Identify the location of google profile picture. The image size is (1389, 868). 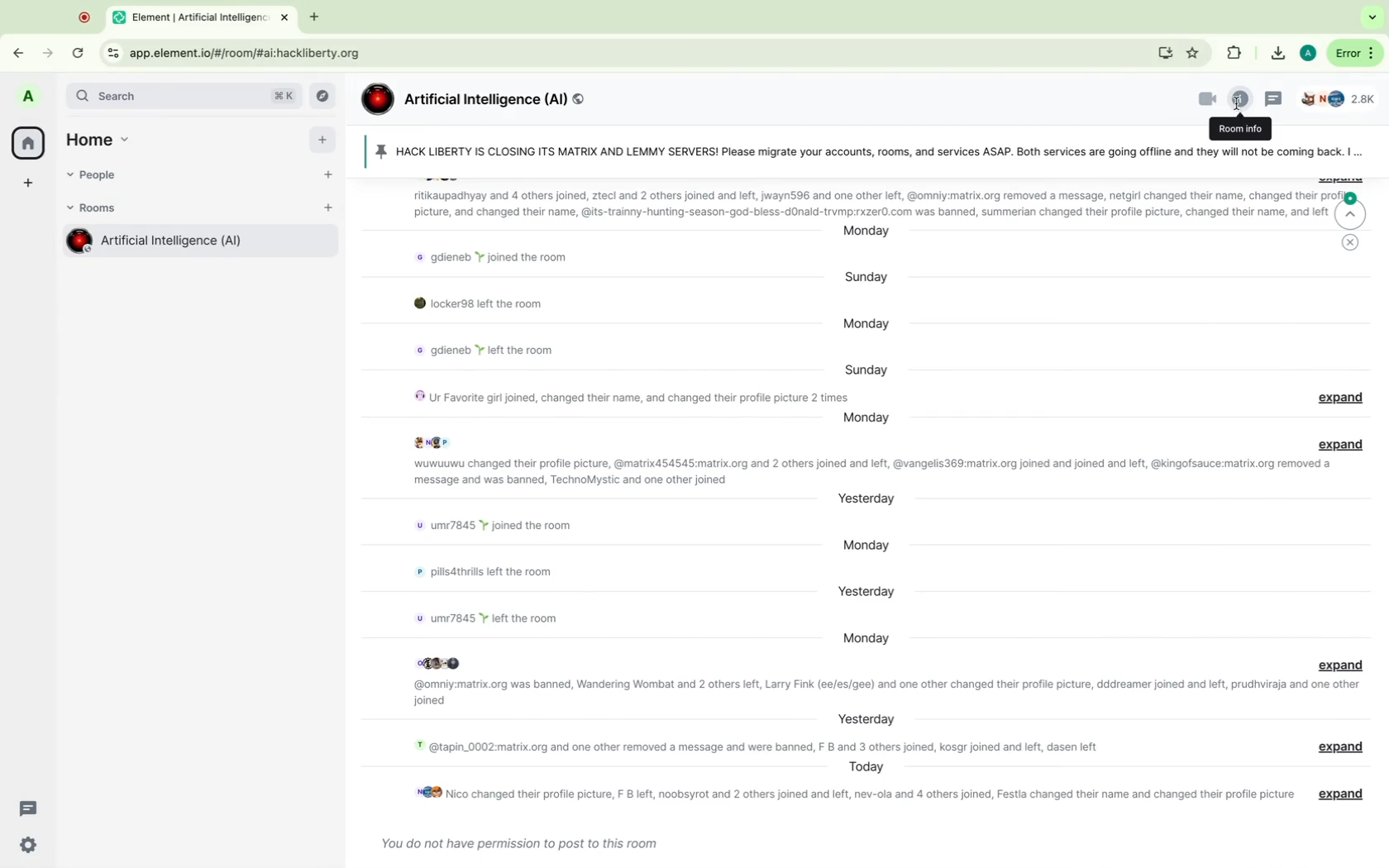
(1307, 53).